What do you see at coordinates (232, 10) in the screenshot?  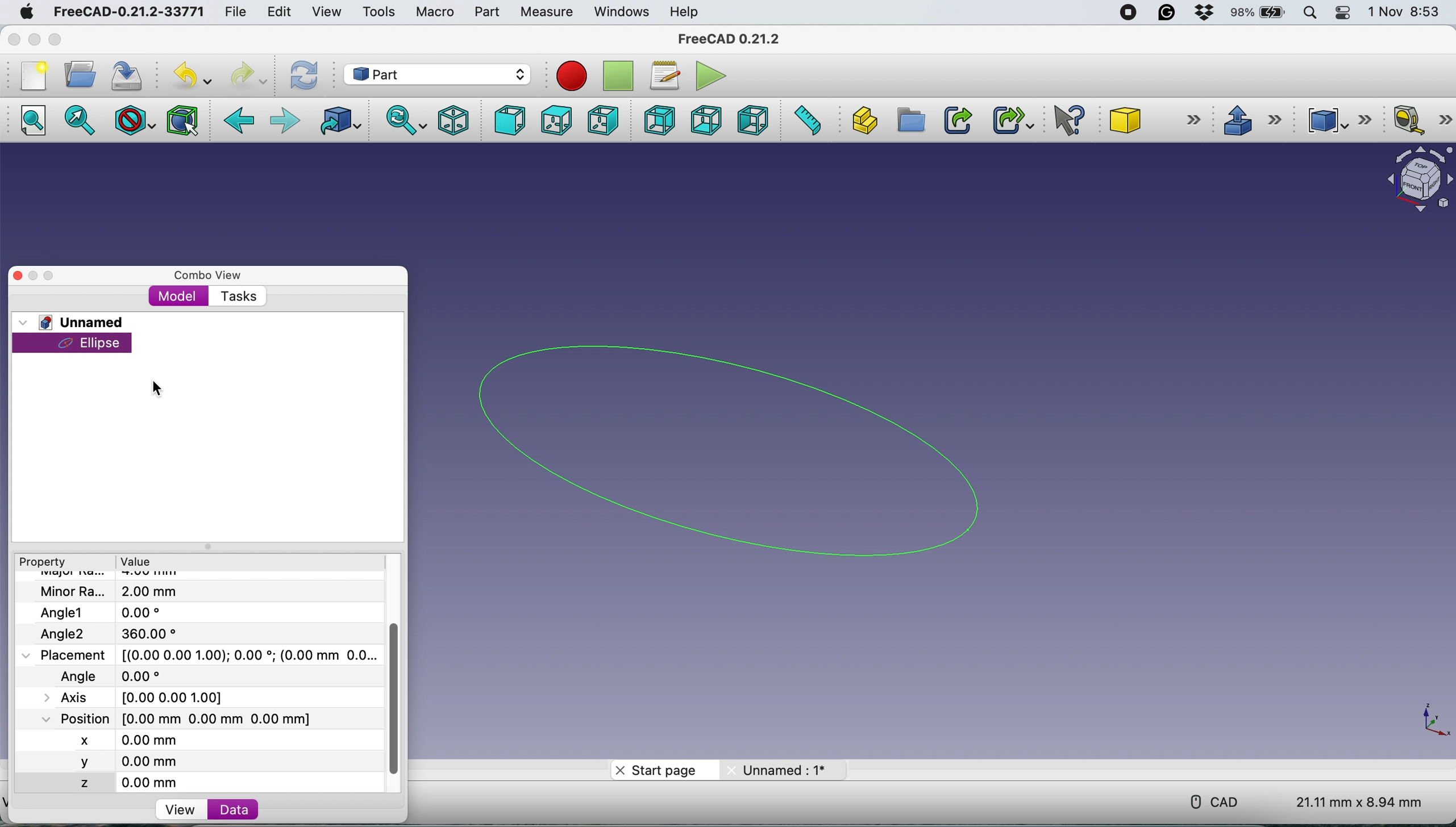 I see `file` at bounding box center [232, 10].